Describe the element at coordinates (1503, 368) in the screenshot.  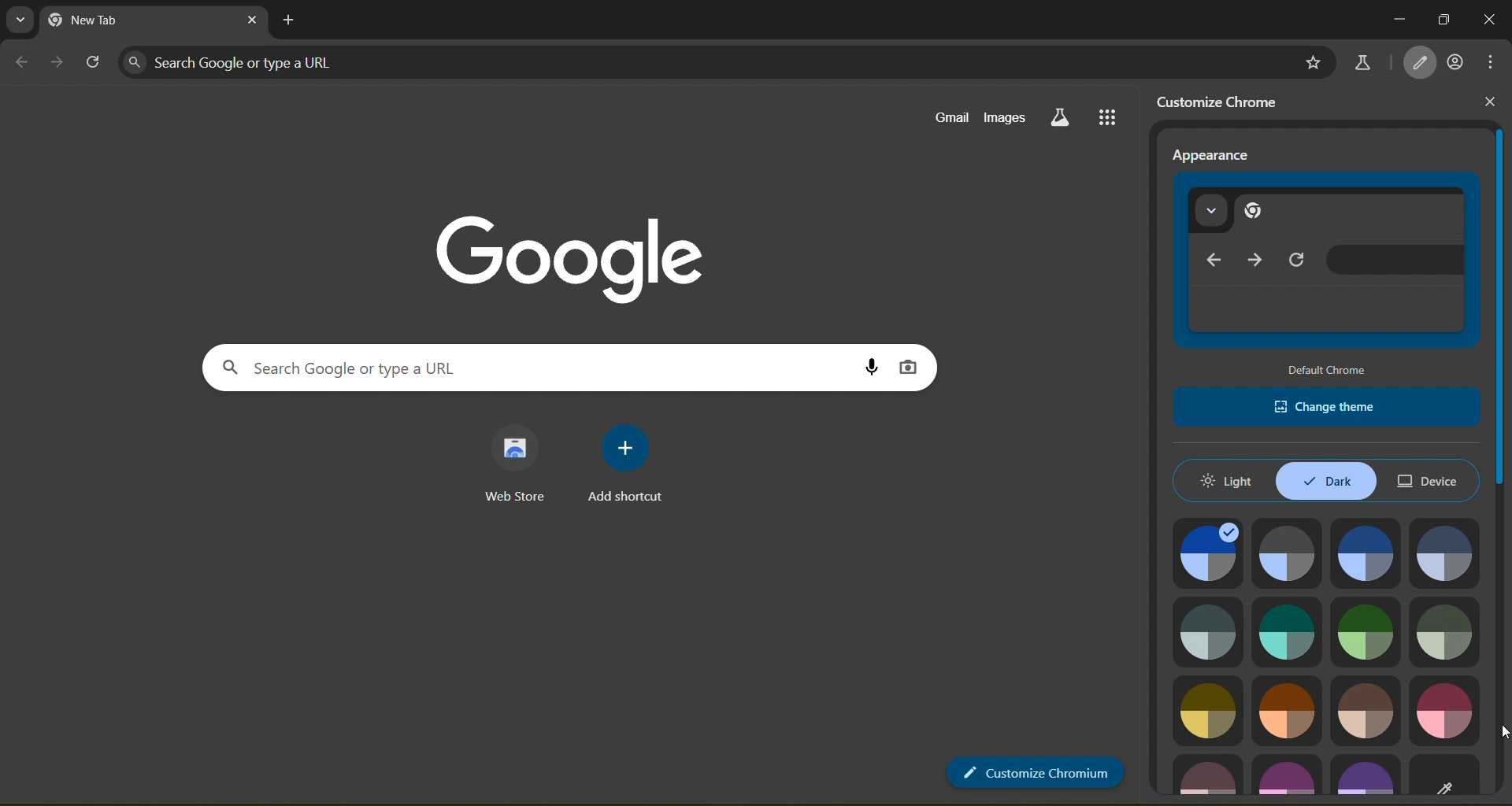
I see `slider` at that location.